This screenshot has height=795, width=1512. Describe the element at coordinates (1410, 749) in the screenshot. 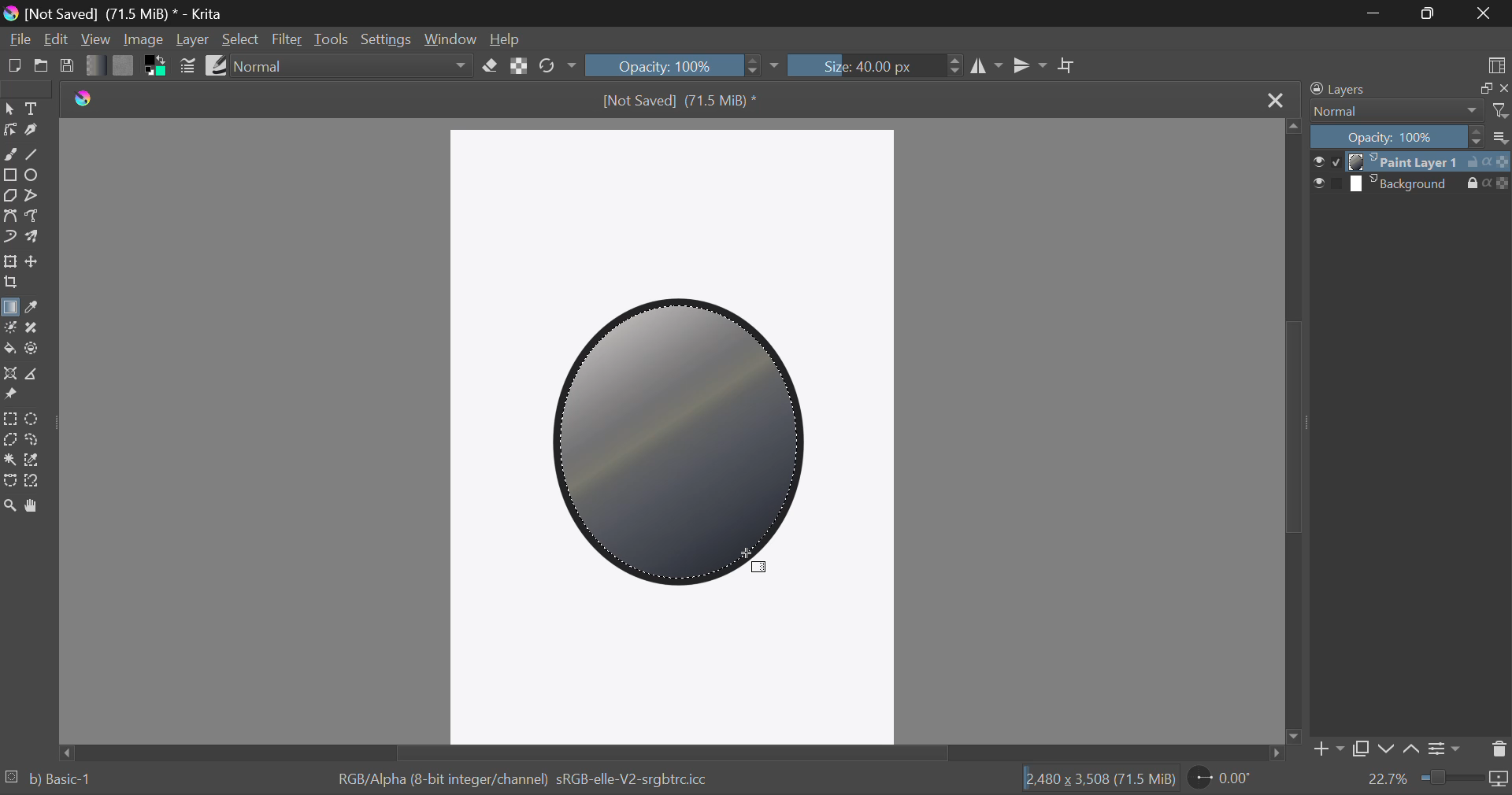

I see `Move layer up` at that location.